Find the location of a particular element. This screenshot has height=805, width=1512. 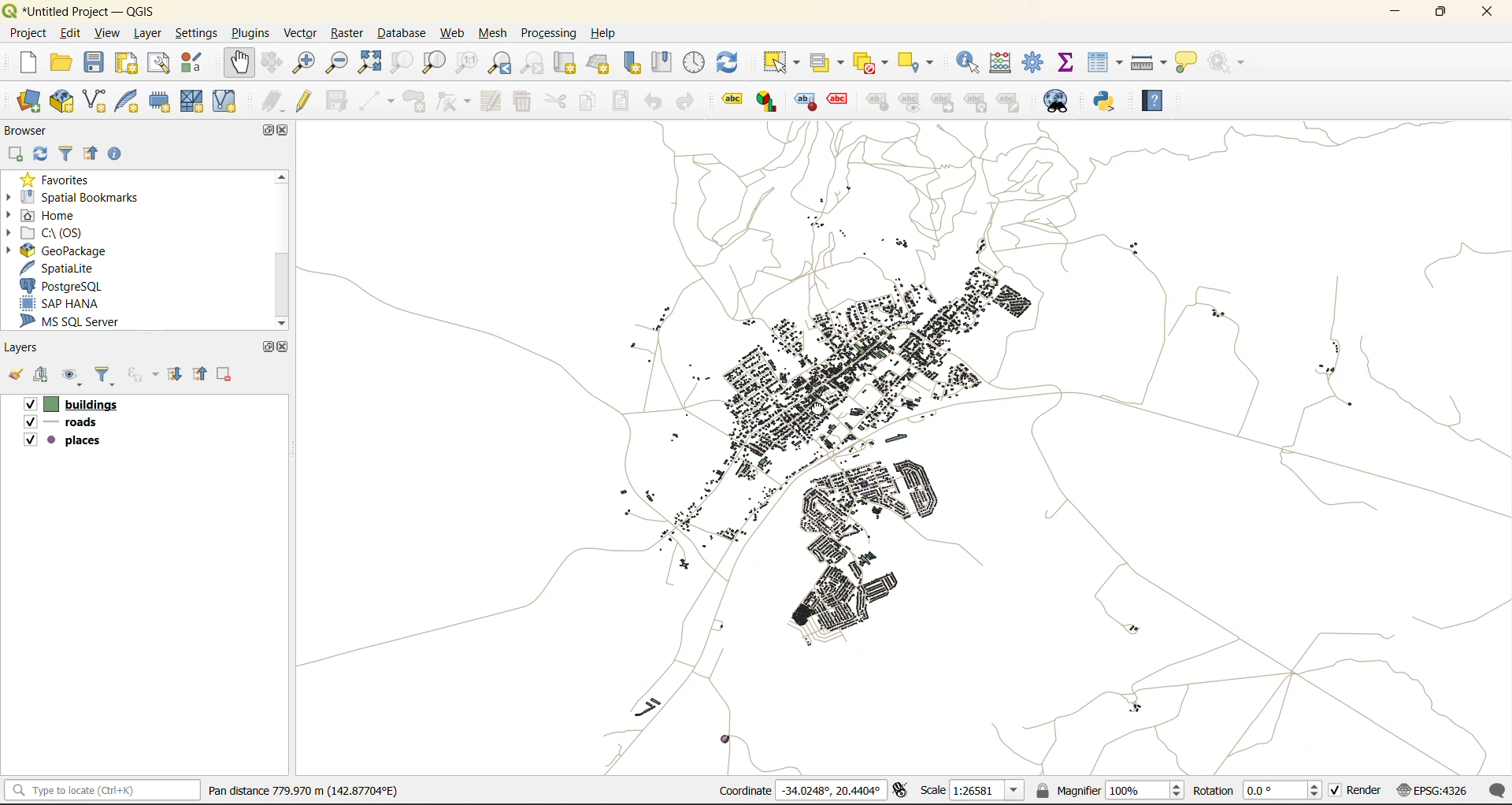

vector is located at coordinates (300, 32).